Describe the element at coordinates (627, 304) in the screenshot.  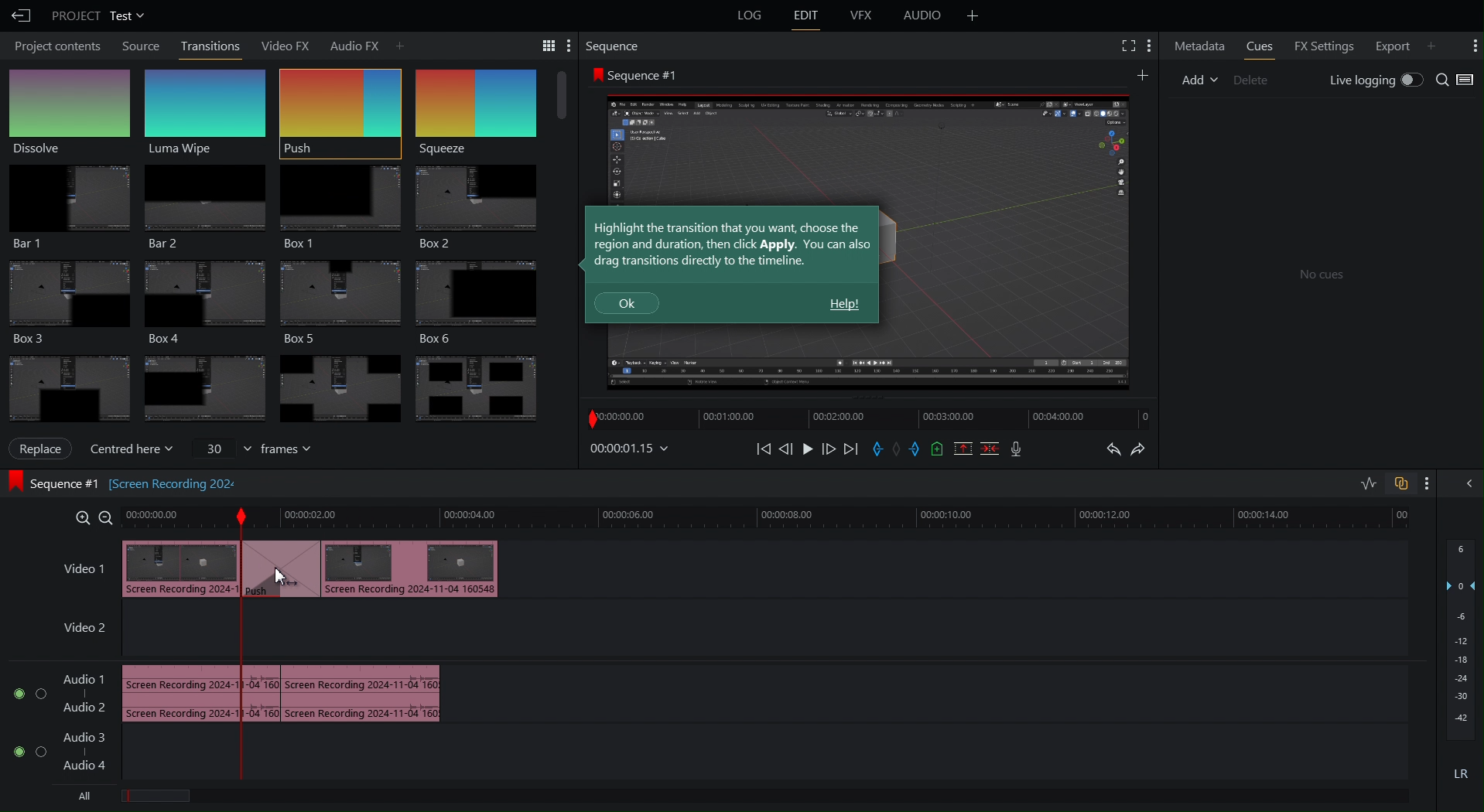
I see `Ok` at that location.